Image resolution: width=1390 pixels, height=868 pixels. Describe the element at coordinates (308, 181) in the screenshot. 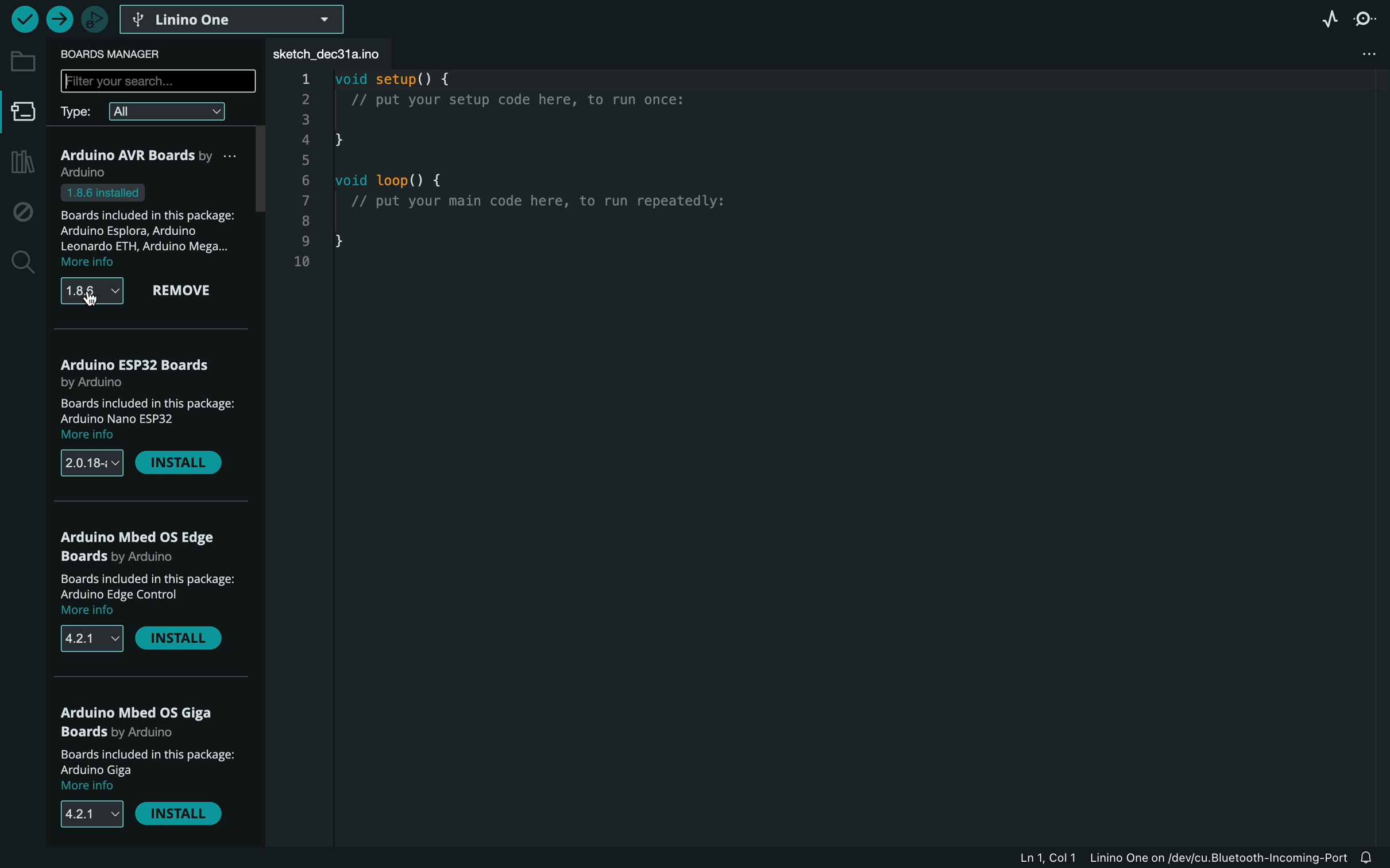

I see `6` at that location.